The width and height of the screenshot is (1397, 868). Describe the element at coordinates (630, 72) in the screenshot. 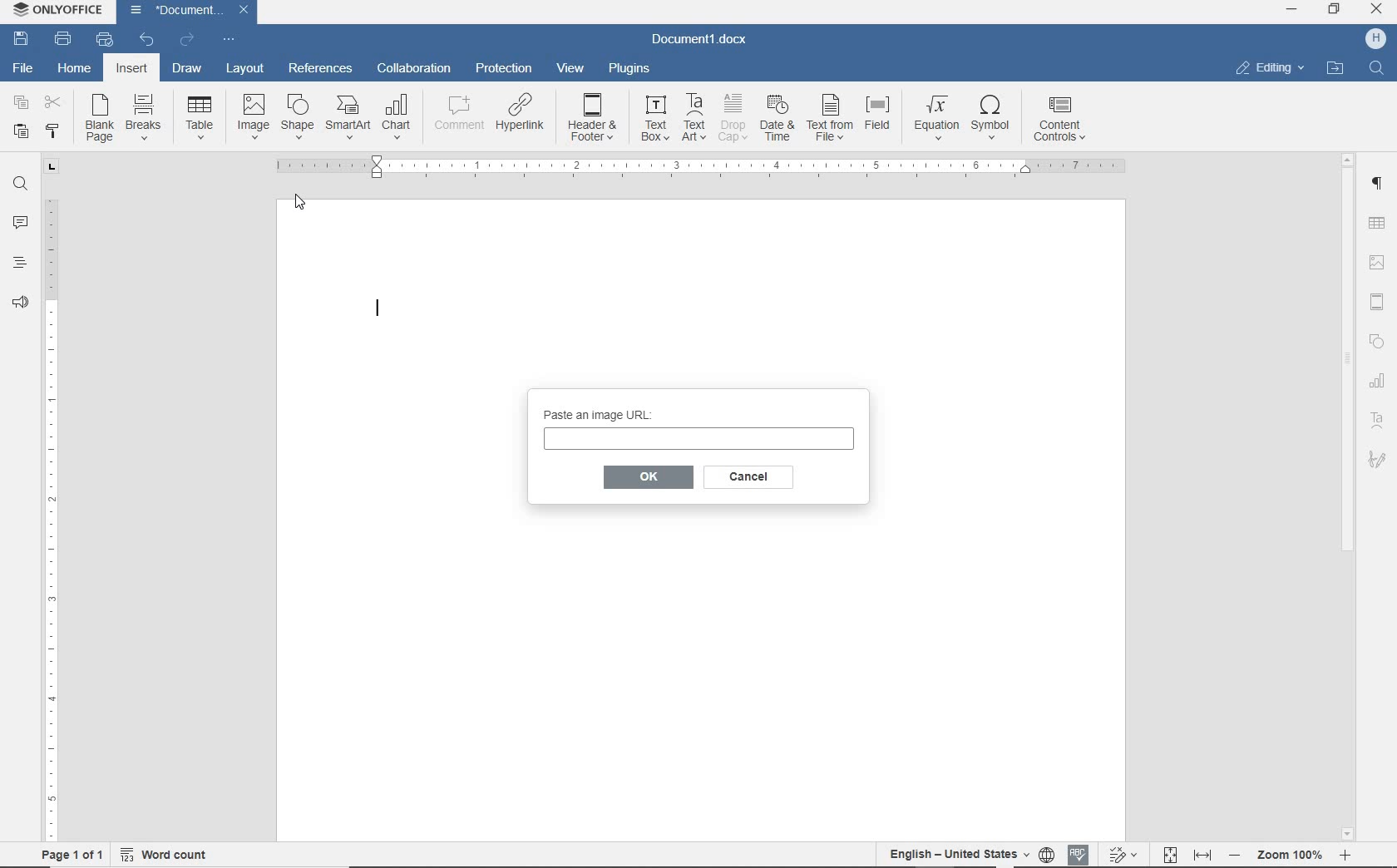

I see `plugins` at that location.